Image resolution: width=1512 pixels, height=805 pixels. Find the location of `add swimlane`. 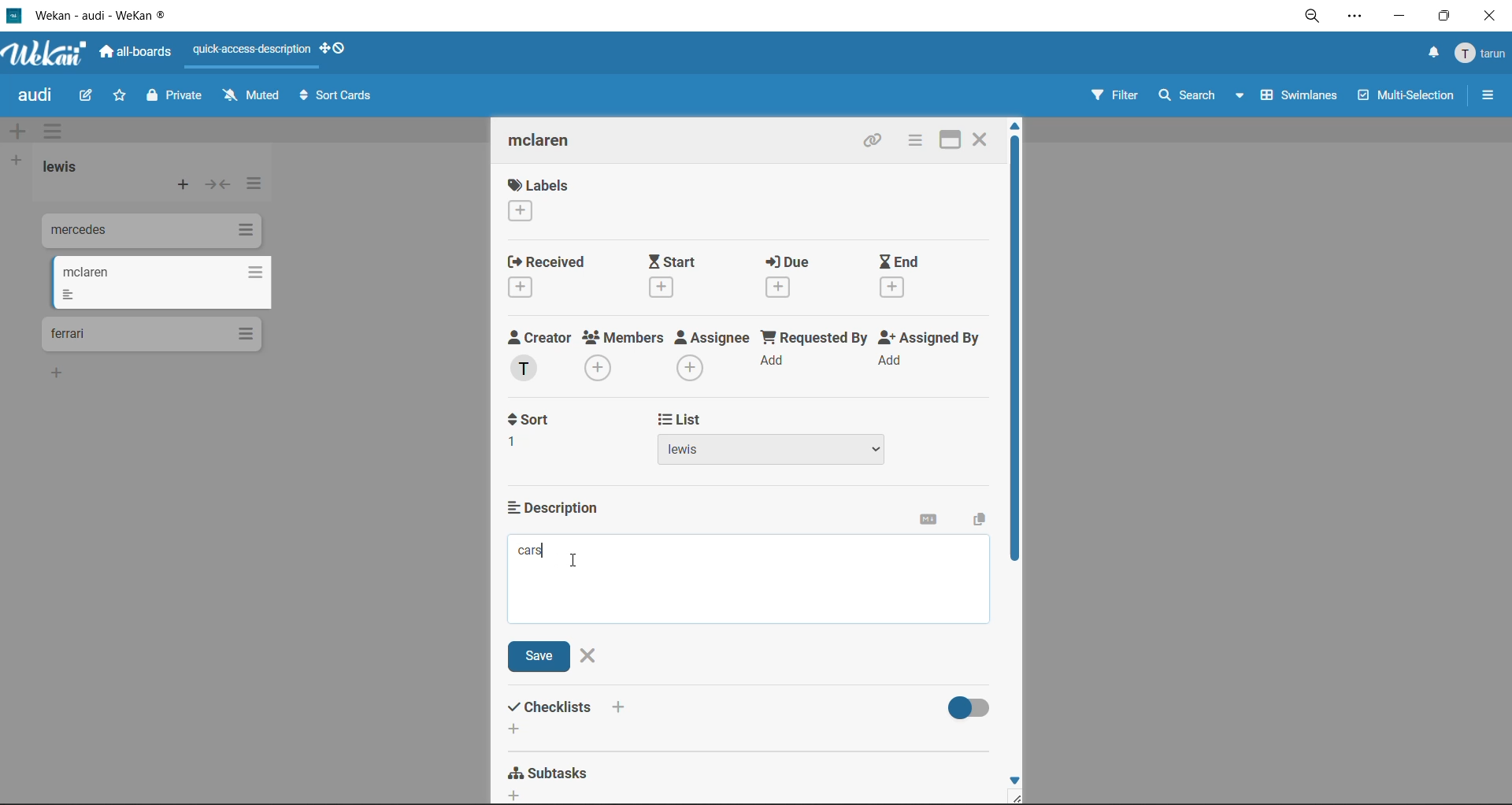

add swimlane is located at coordinates (21, 132).